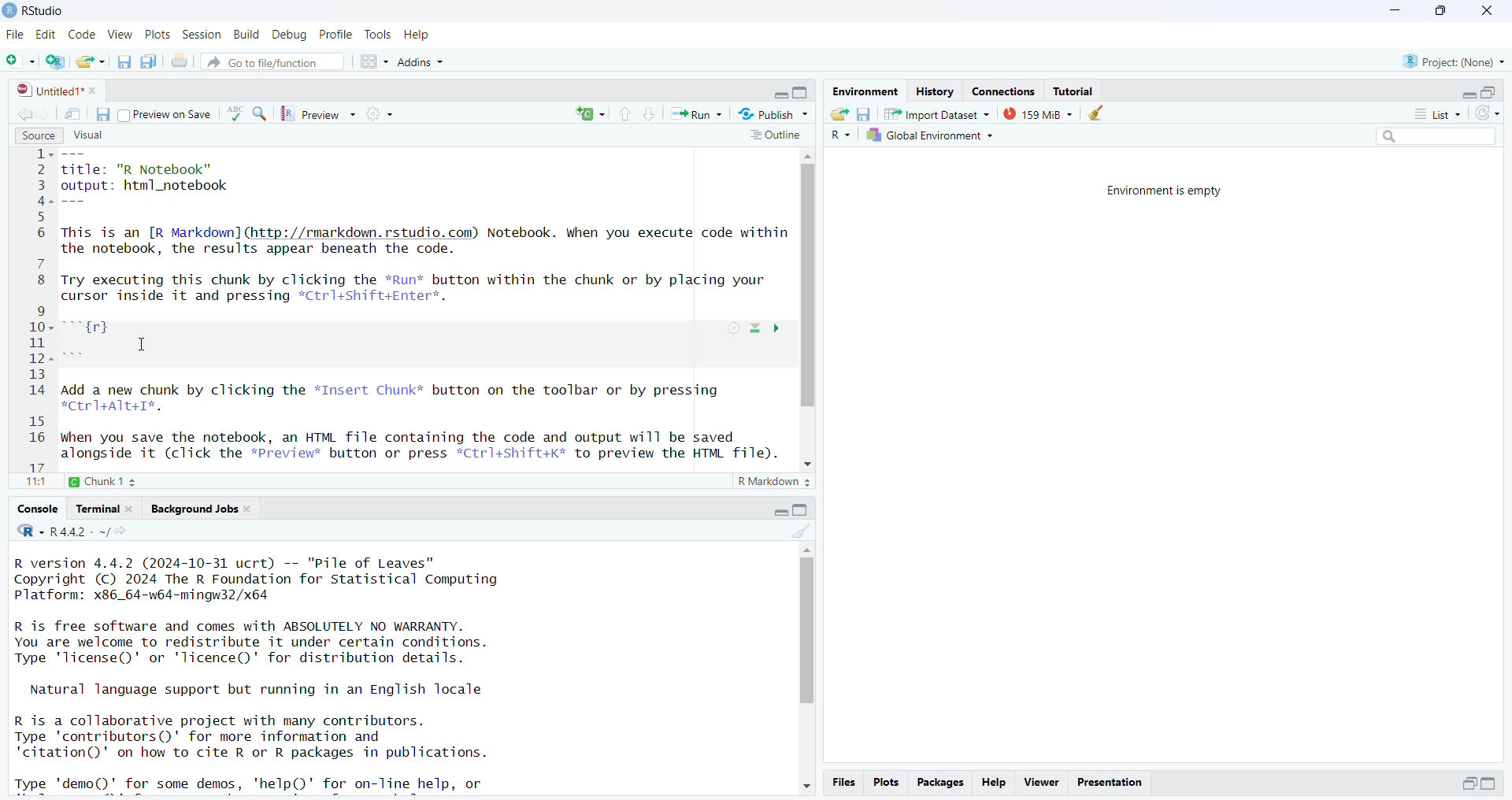 The height and width of the screenshot is (800, 1512). Describe the element at coordinates (1492, 92) in the screenshot. I see `collapse` at that location.